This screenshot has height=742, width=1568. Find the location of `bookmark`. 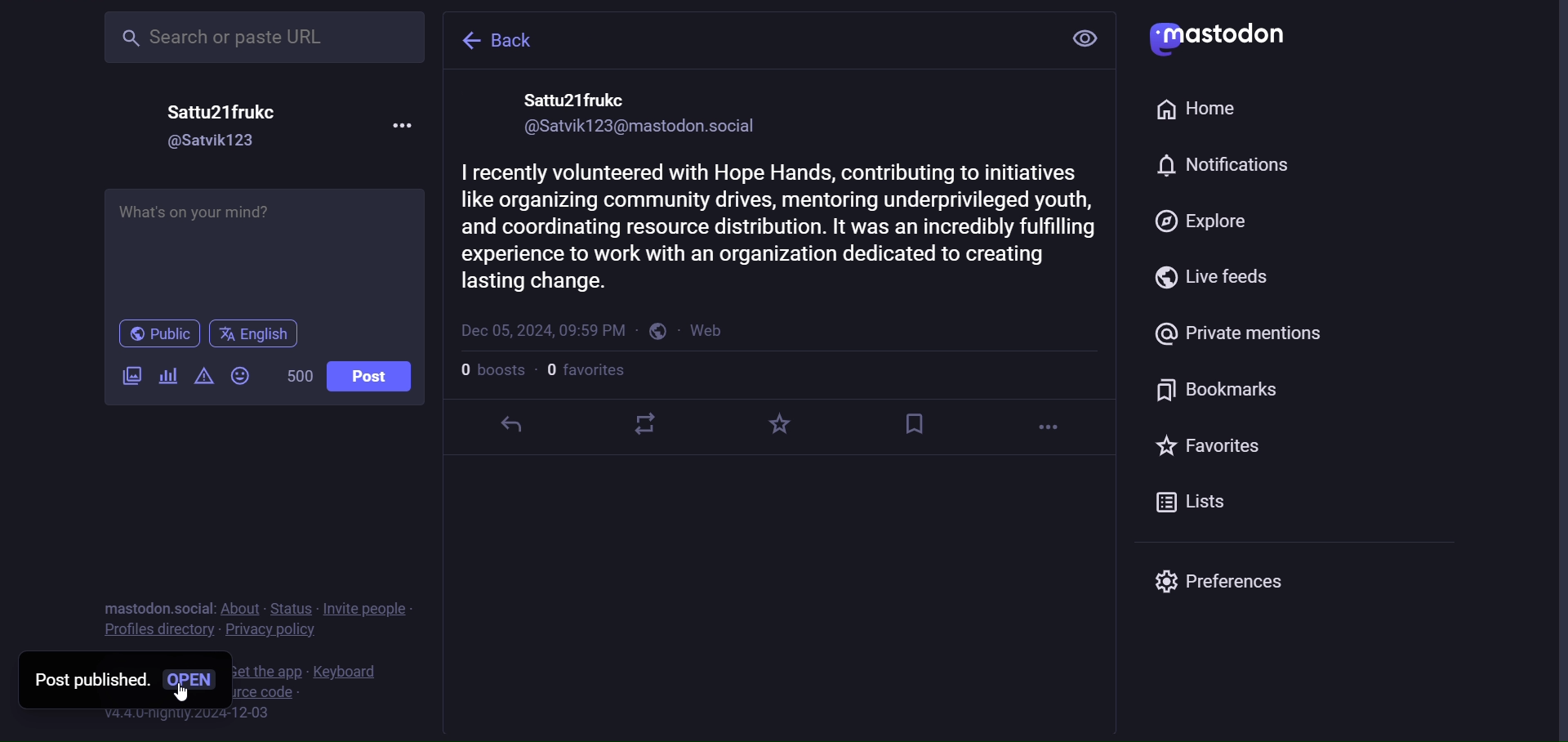

bookmark is located at coordinates (914, 423).